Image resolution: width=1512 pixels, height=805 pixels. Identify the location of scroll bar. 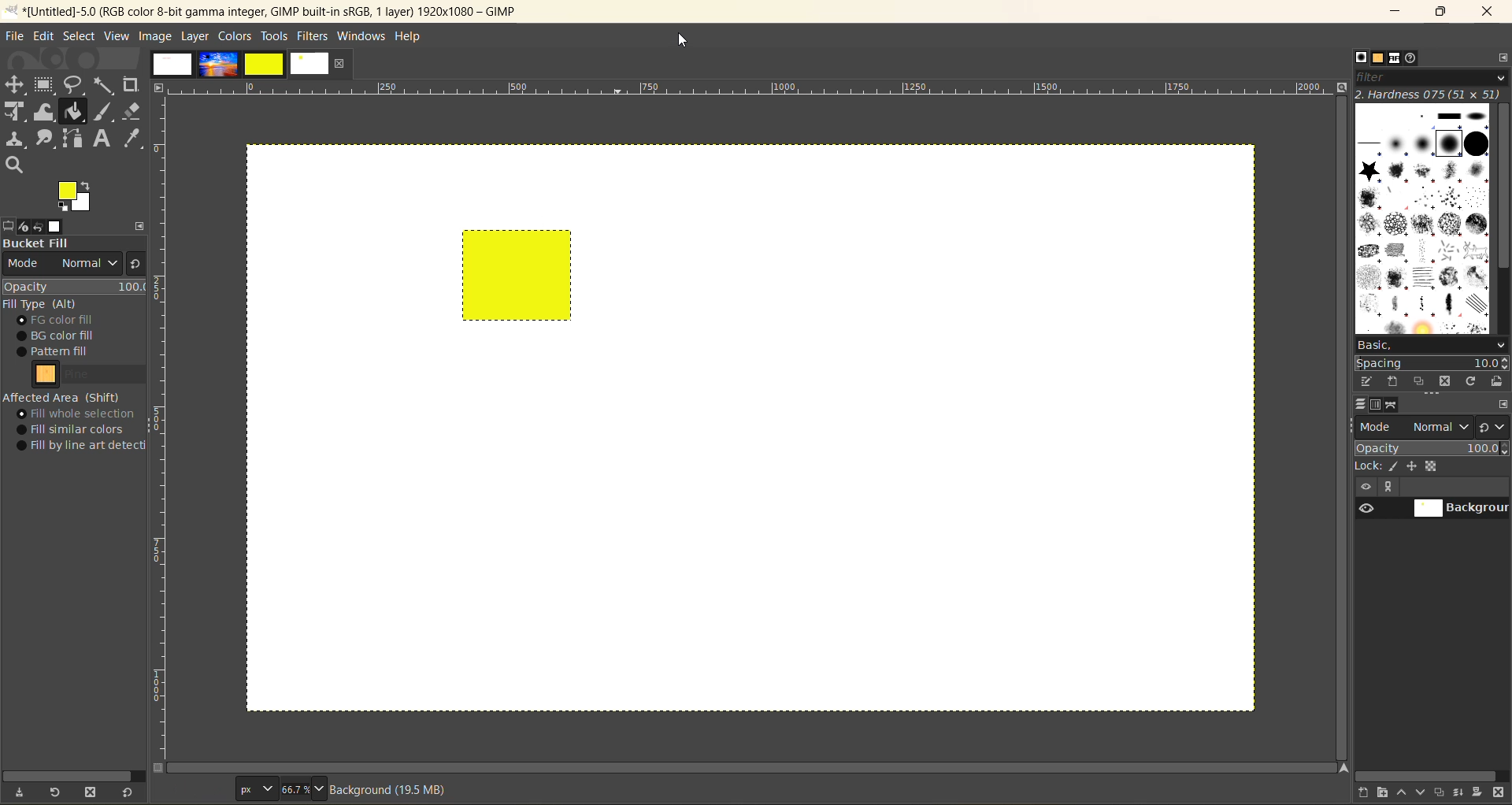
(755, 768).